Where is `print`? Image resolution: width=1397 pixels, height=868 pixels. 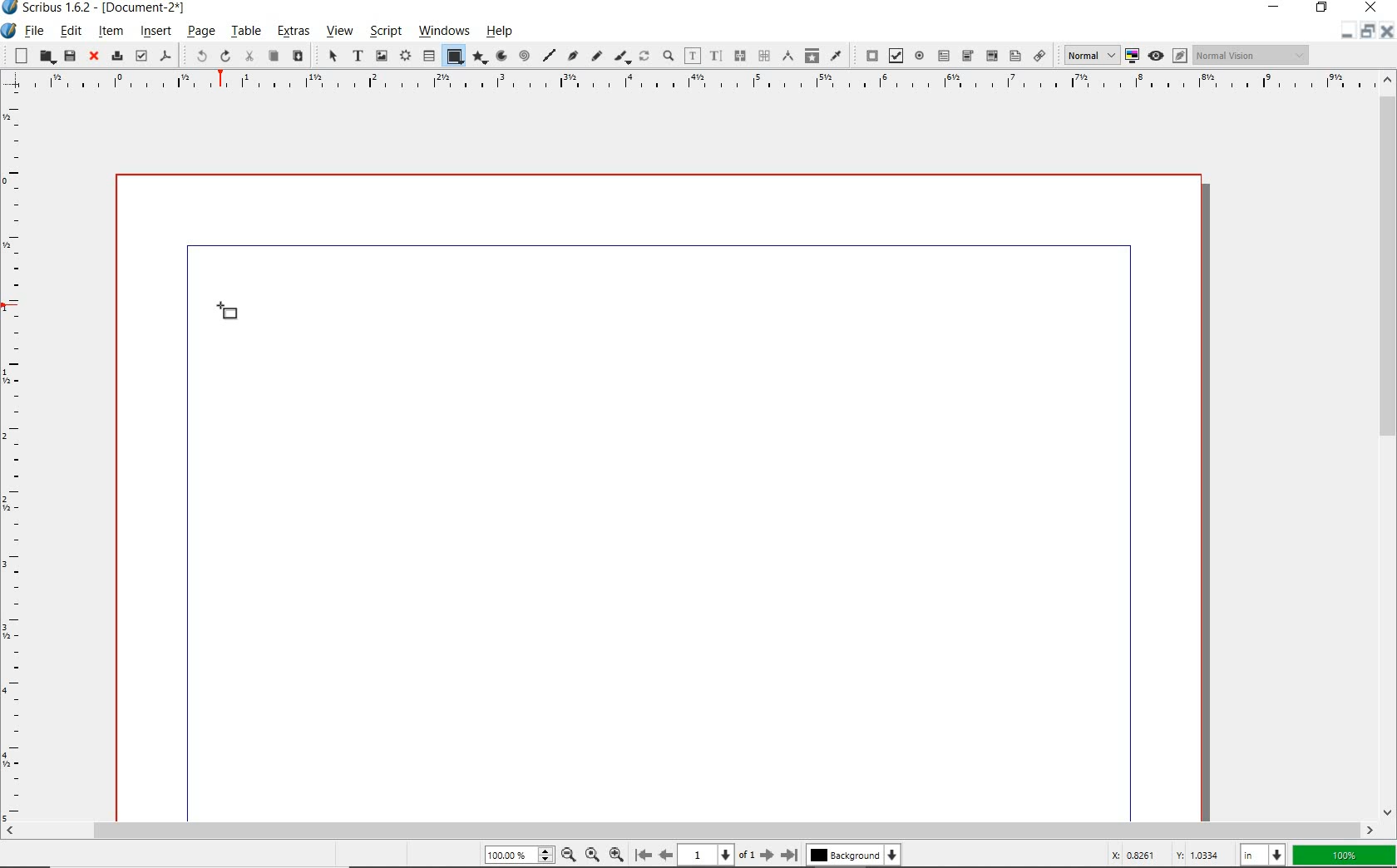
print is located at coordinates (116, 56).